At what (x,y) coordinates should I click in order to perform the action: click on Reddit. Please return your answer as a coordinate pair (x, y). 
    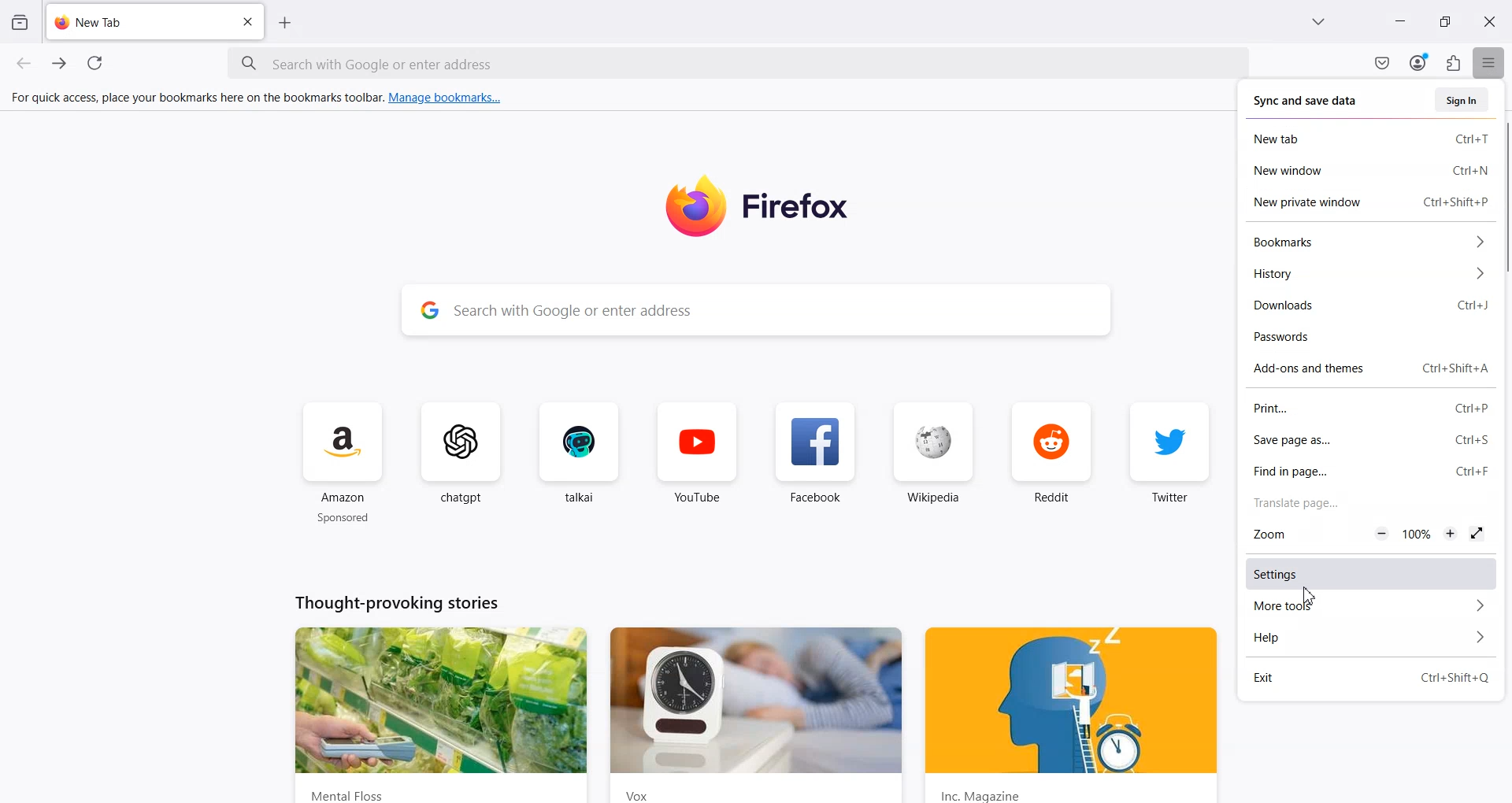
    Looking at the image, I should click on (1051, 463).